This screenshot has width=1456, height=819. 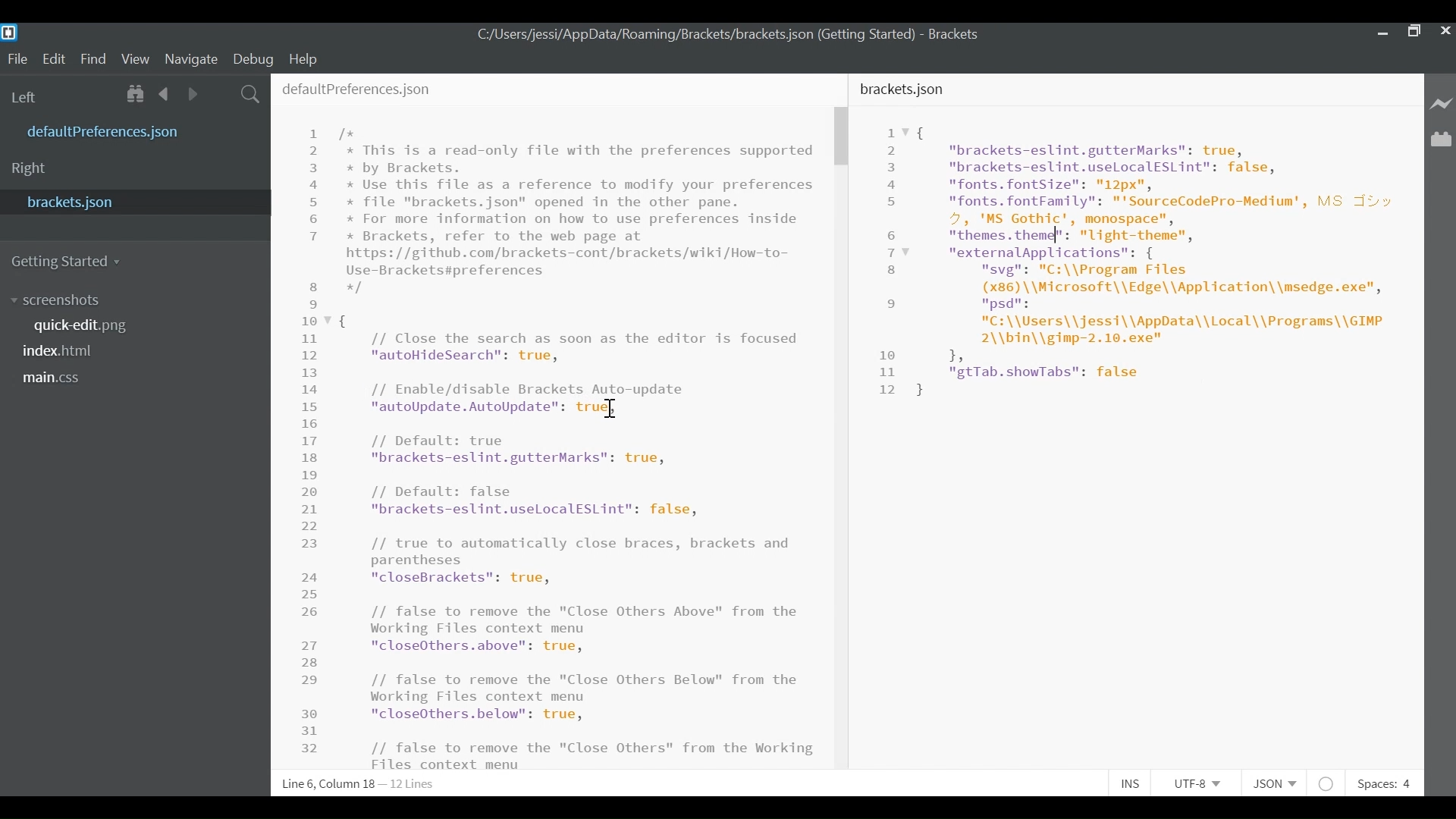 What do you see at coordinates (137, 93) in the screenshot?
I see `Show Files in tree` at bounding box center [137, 93].